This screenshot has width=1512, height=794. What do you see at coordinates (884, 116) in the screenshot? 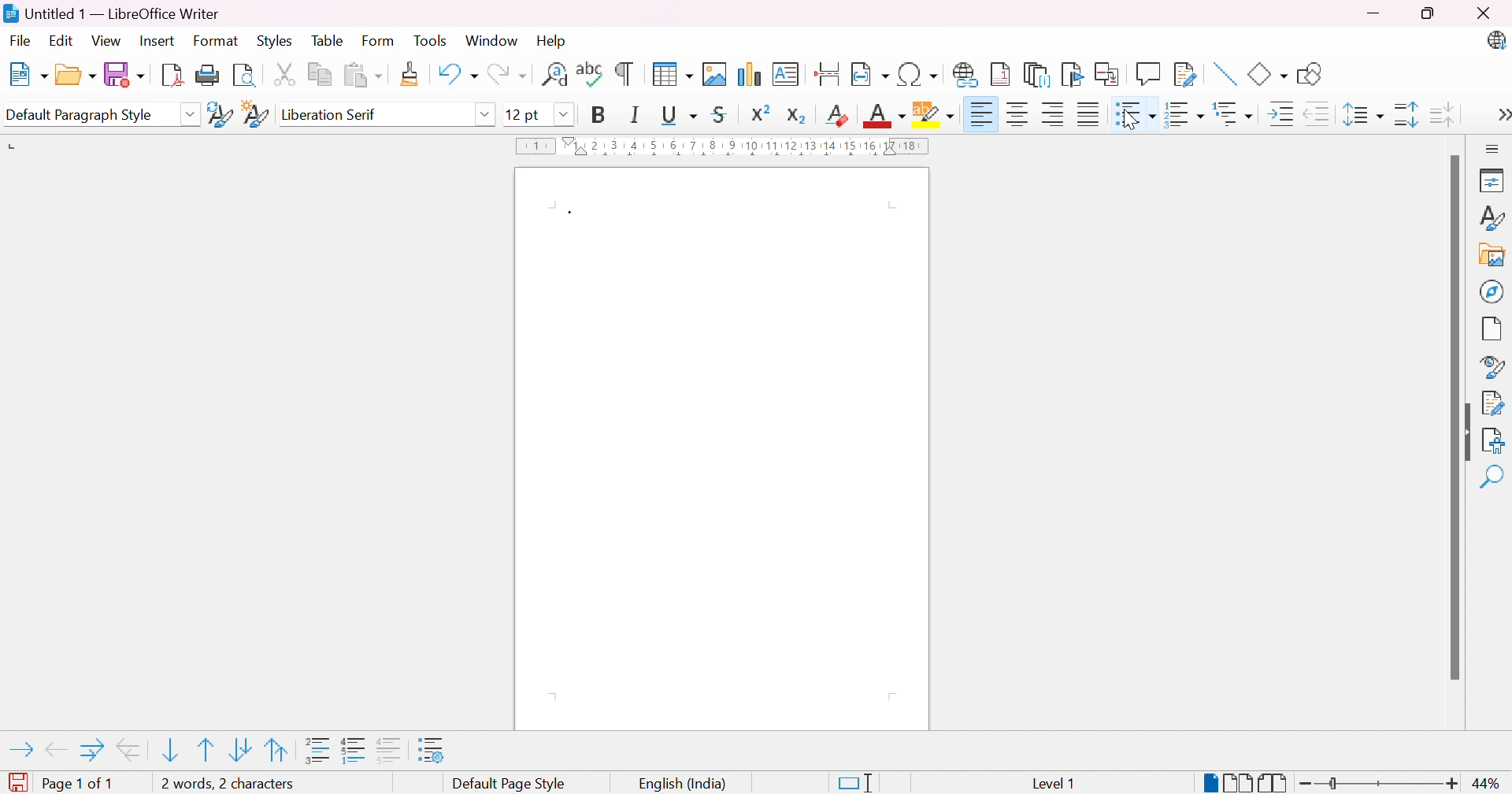
I see `Font color` at bounding box center [884, 116].